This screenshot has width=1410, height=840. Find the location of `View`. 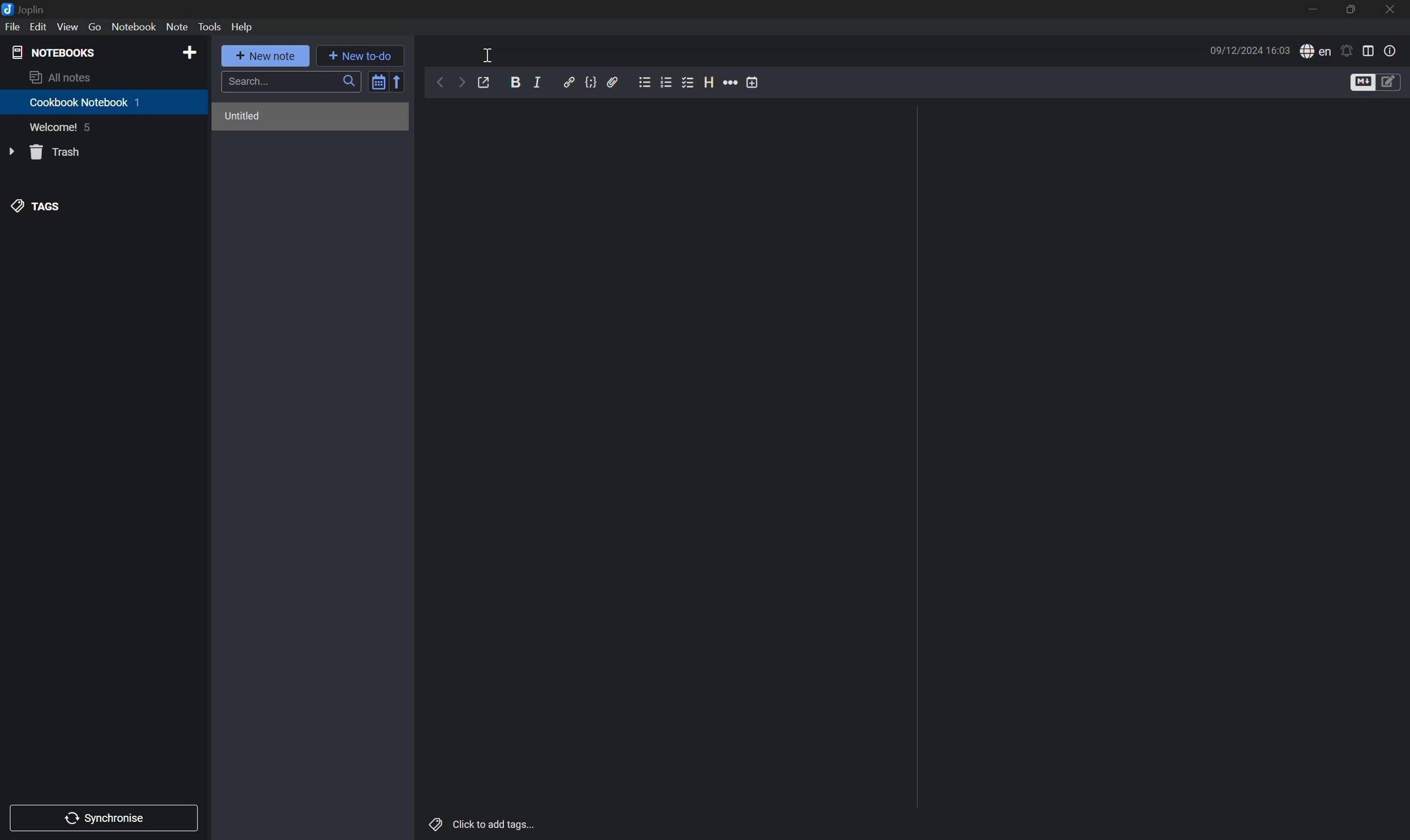

View is located at coordinates (68, 27).